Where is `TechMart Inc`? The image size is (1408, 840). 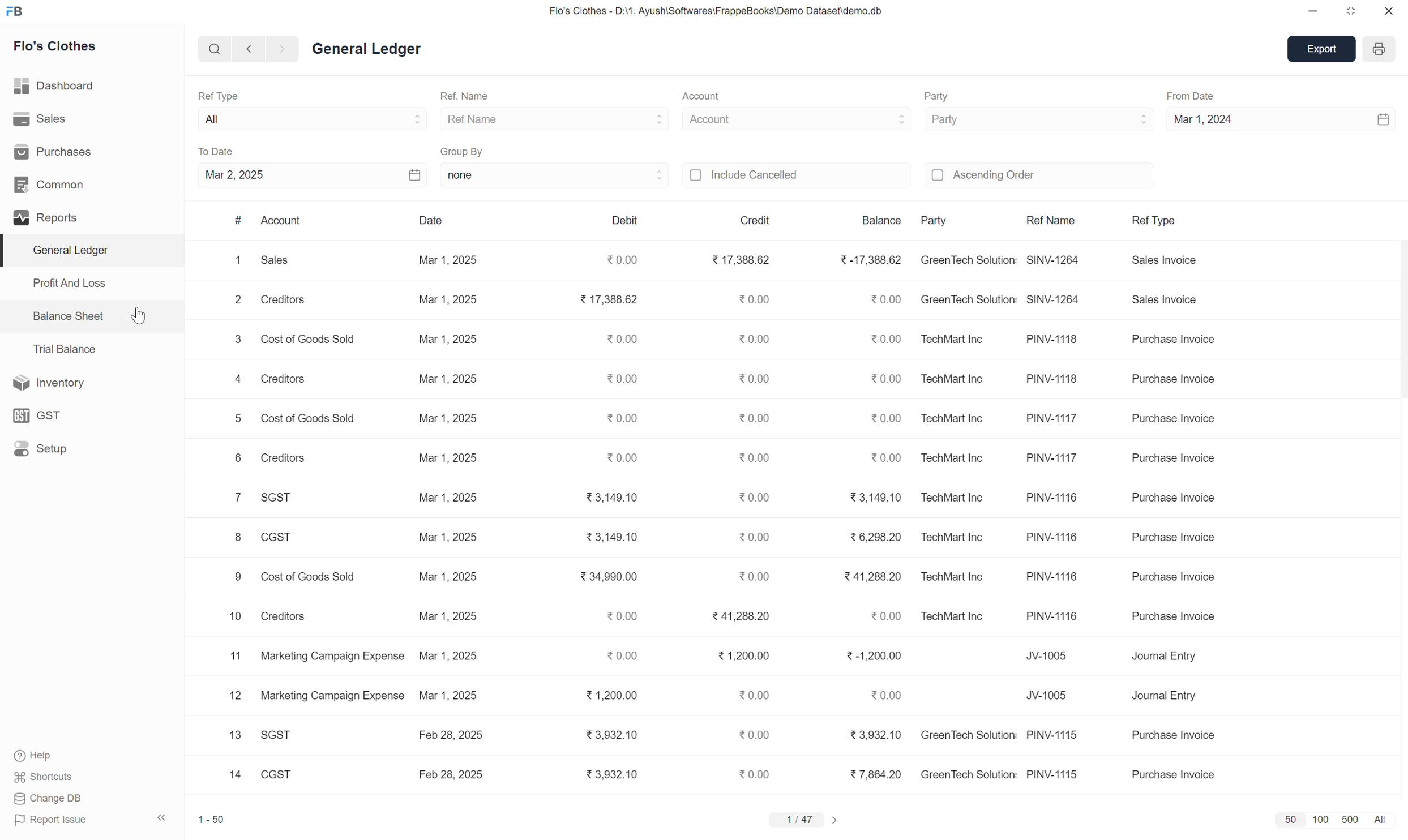
TechMart Inc is located at coordinates (952, 378).